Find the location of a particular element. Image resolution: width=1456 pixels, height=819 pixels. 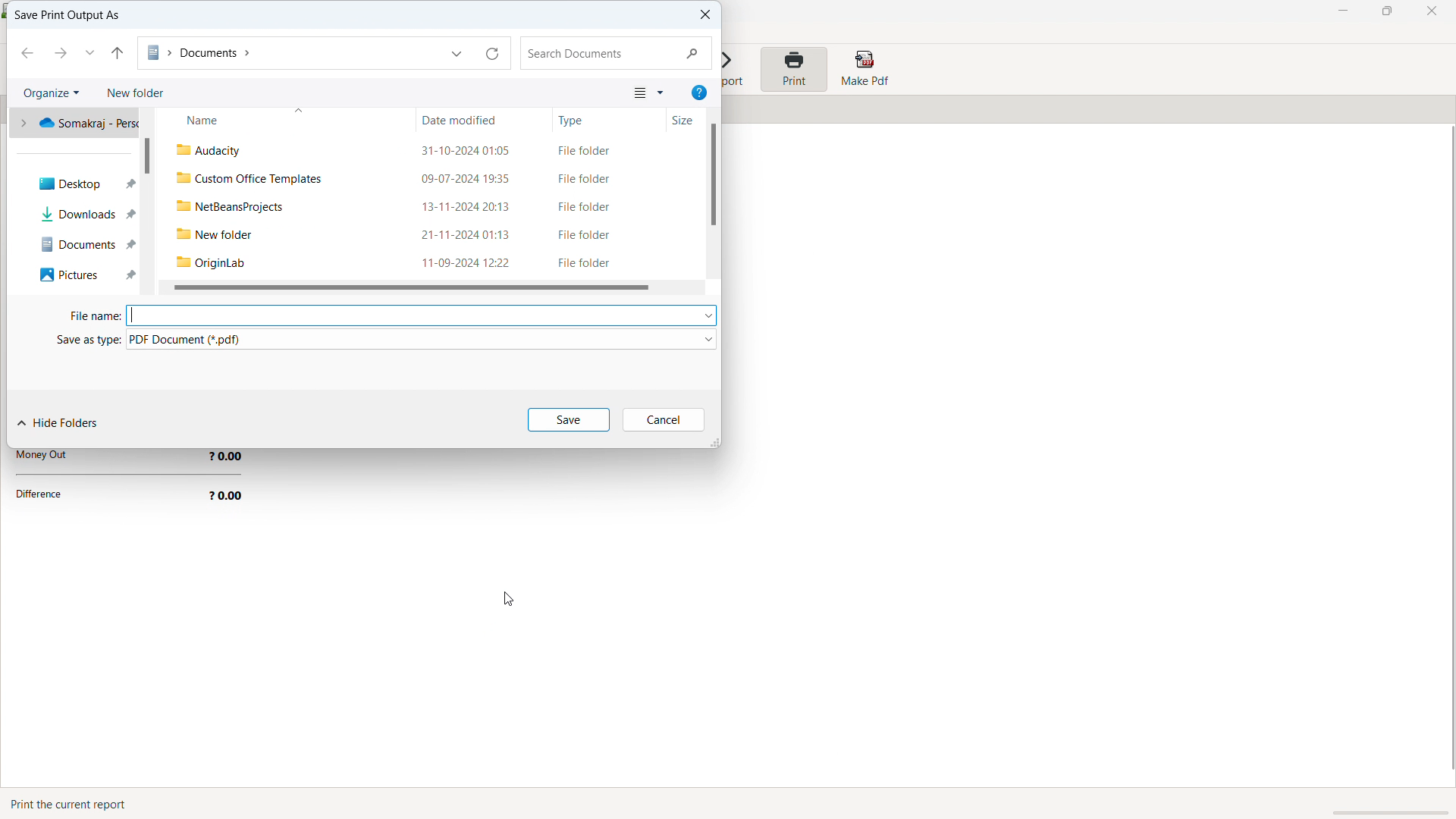

cancel is located at coordinates (664, 419).